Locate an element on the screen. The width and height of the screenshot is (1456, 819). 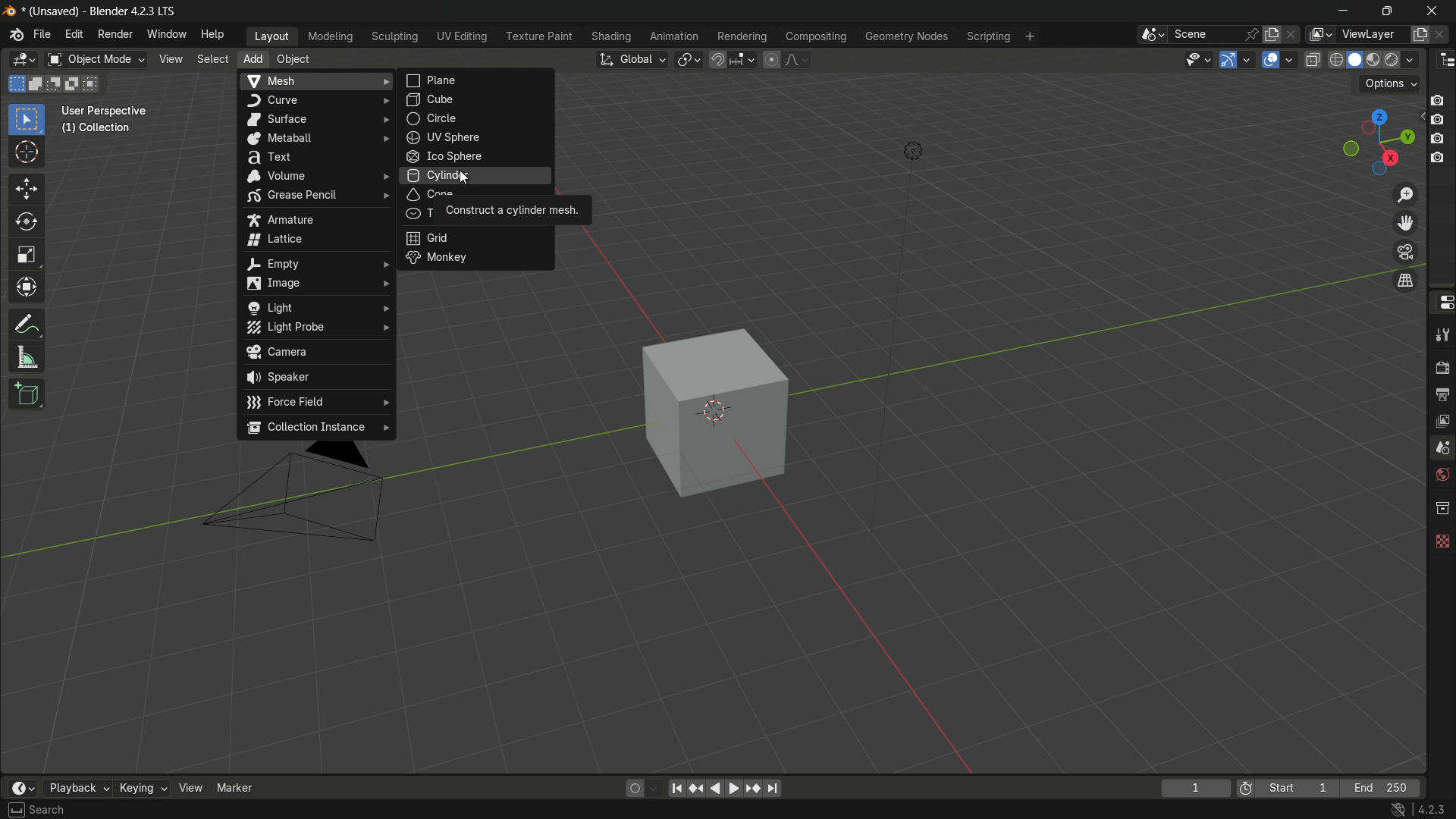
animation menu is located at coordinates (676, 38).